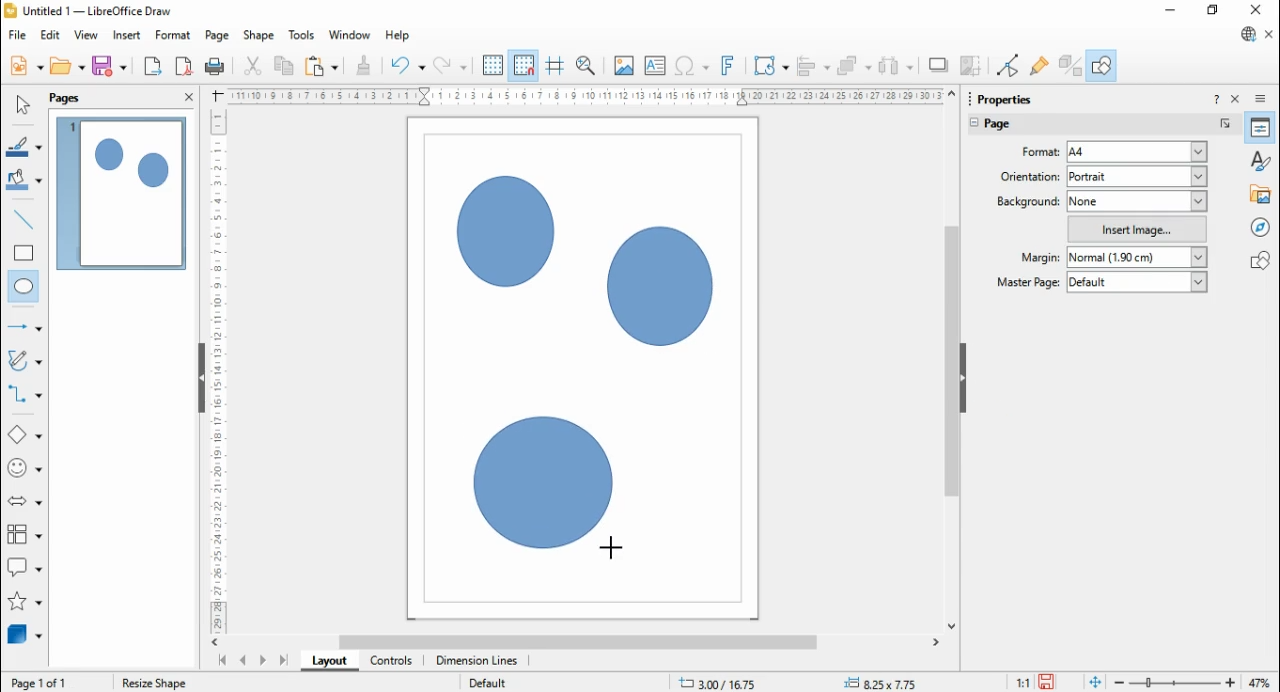 The width and height of the screenshot is (1280, 692). Describe the element at coordinates (450, 66) in the screenshot. I see `redo` at that location.